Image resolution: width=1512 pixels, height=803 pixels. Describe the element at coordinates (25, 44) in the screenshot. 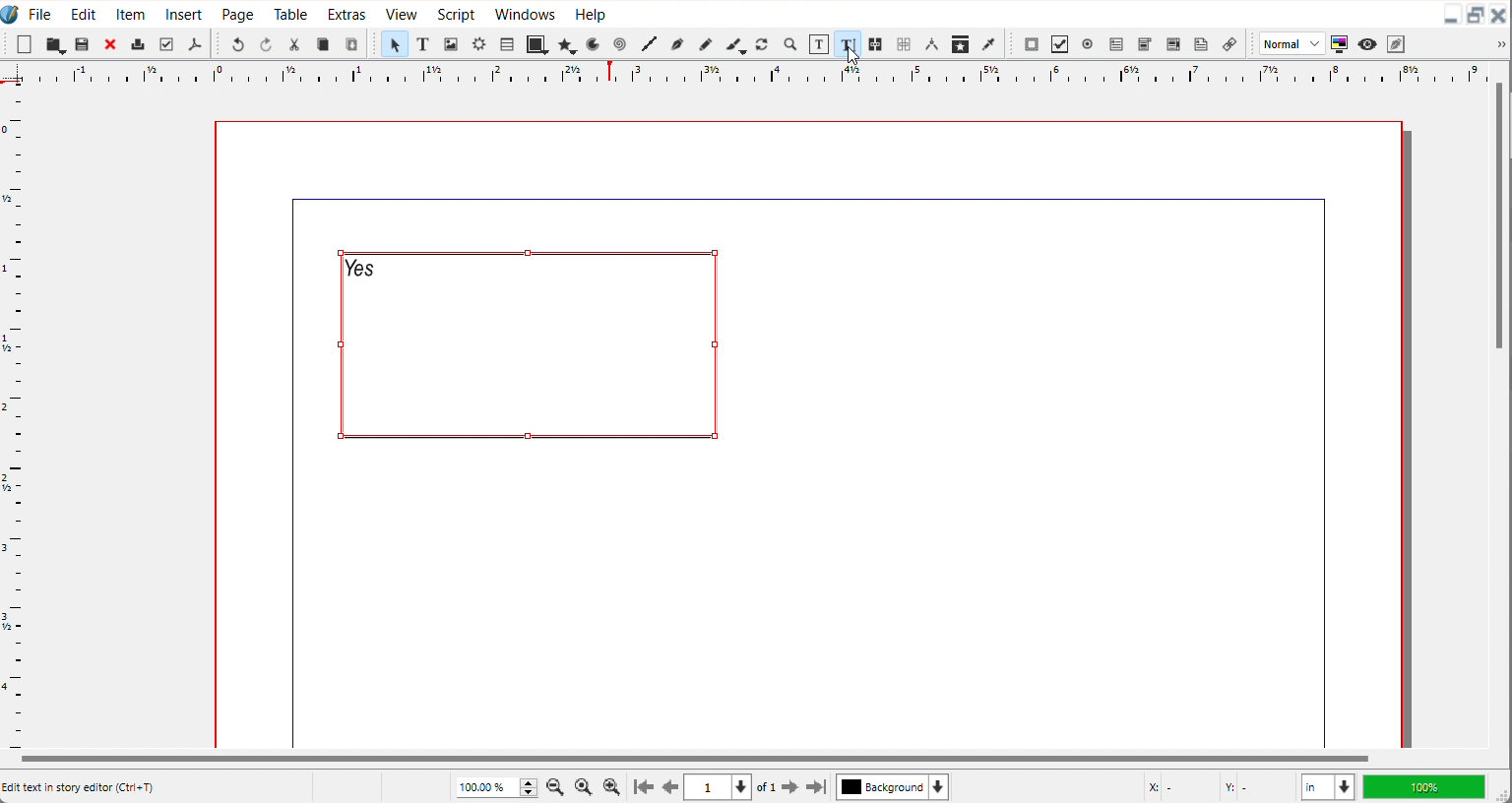

I see `New` at that location.